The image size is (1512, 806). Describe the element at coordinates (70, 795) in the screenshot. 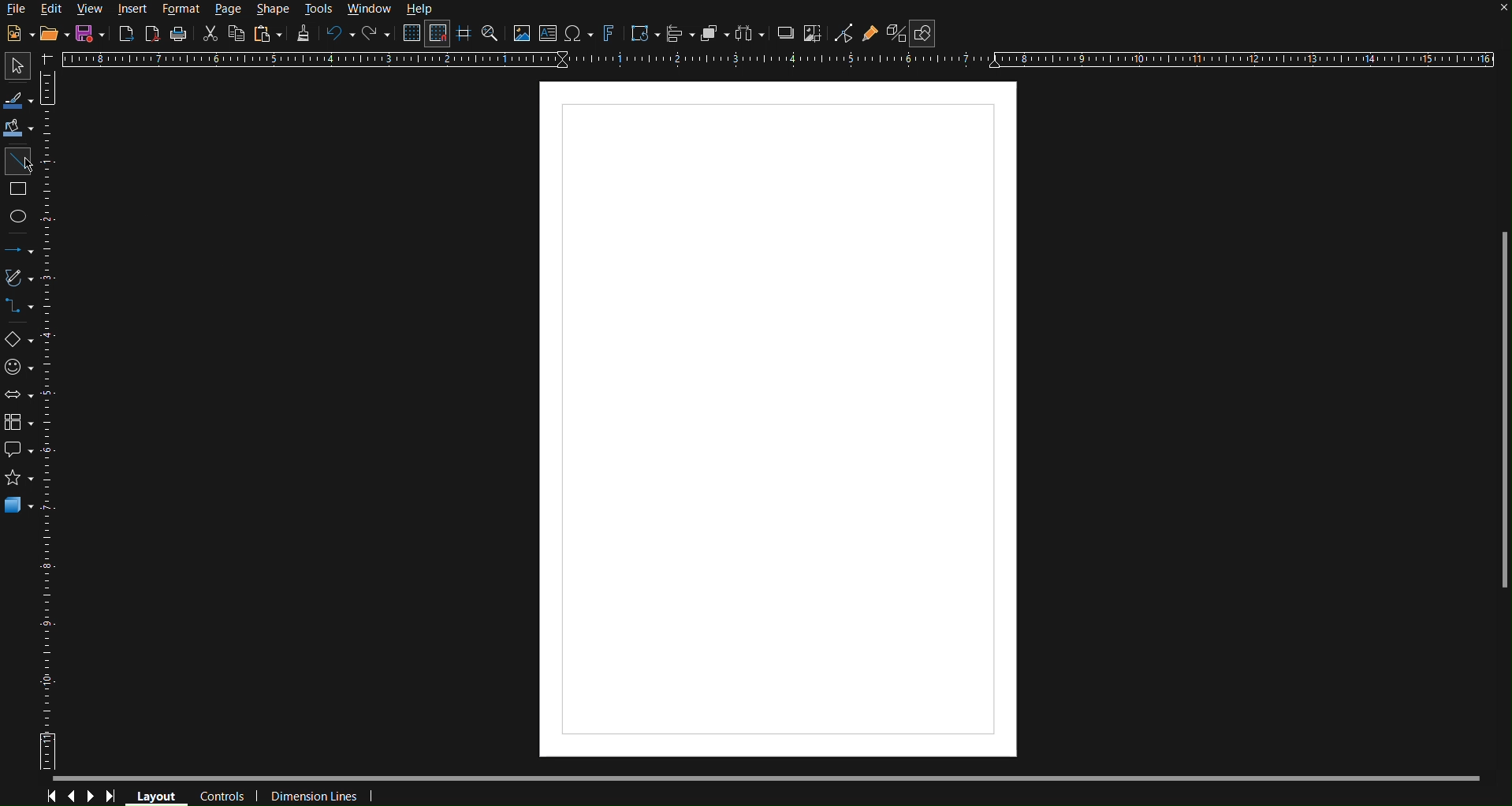

I see `Previous` at that location.